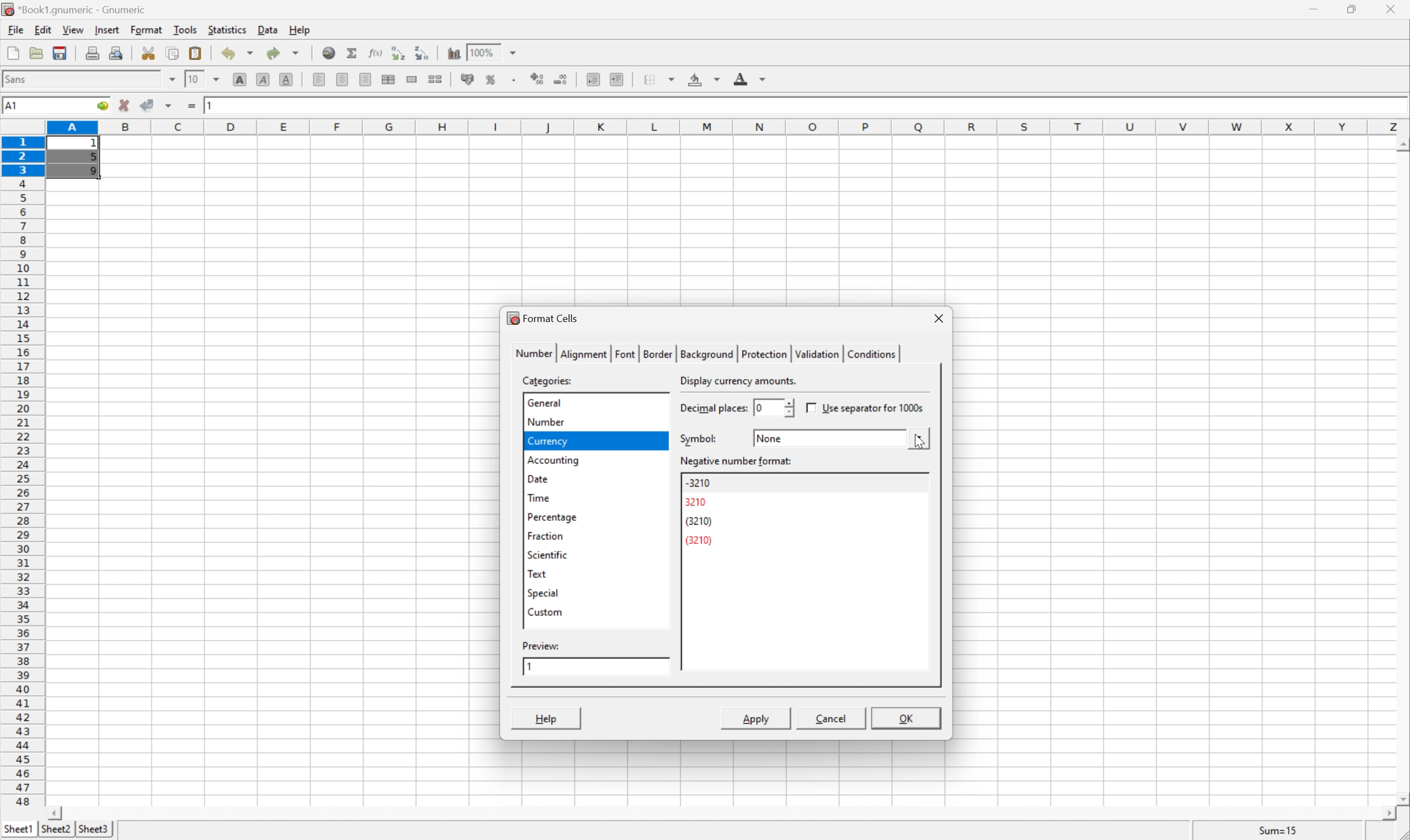 The height and width of the screenshot is (840, 1410). What do you see at coordinates (584, 353) in the screenshot?
I see `alignment` at bounding box center [584, 353].